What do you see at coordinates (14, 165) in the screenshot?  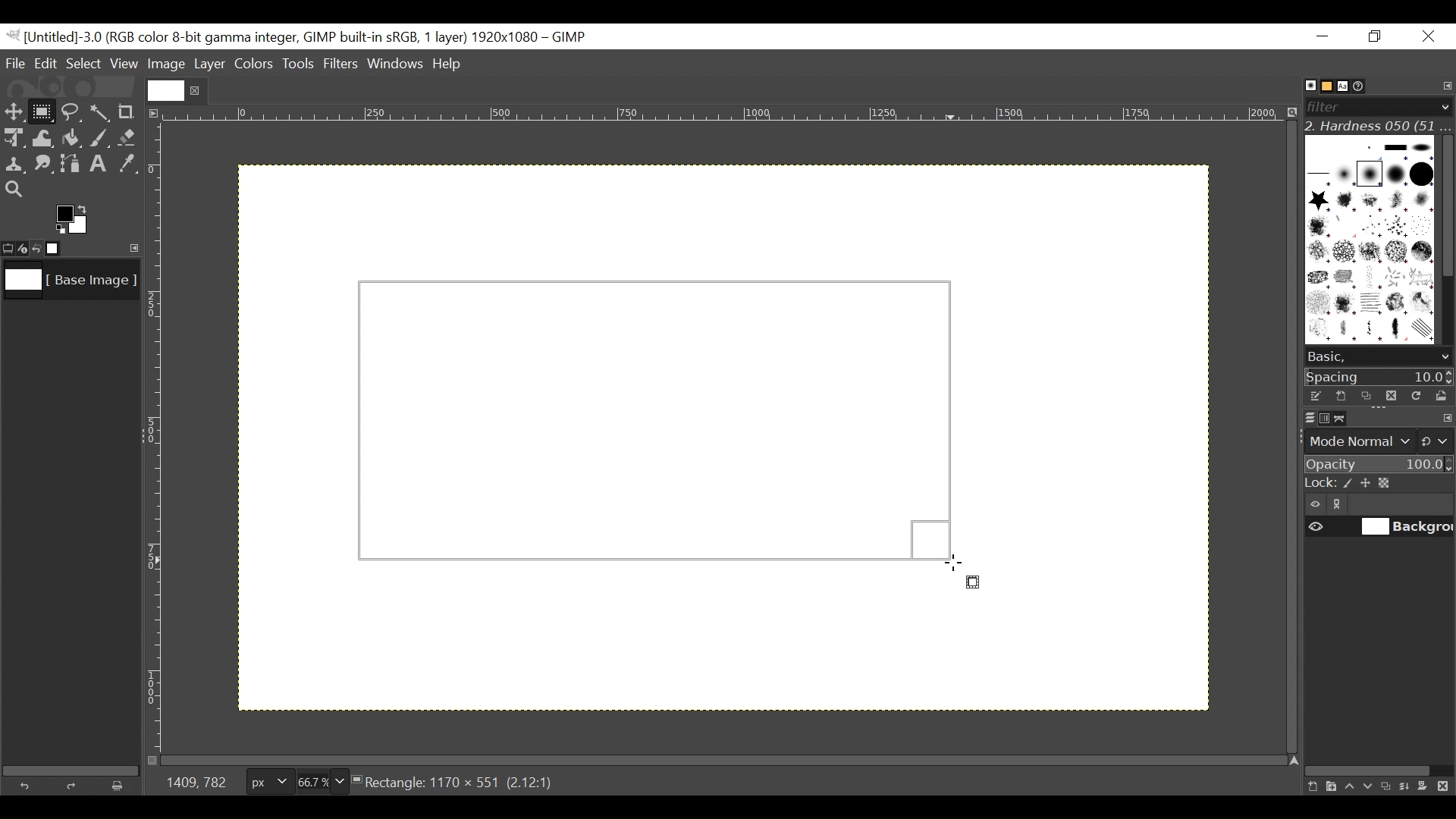 I see `Clone tool` at bounding box center [14, 165].